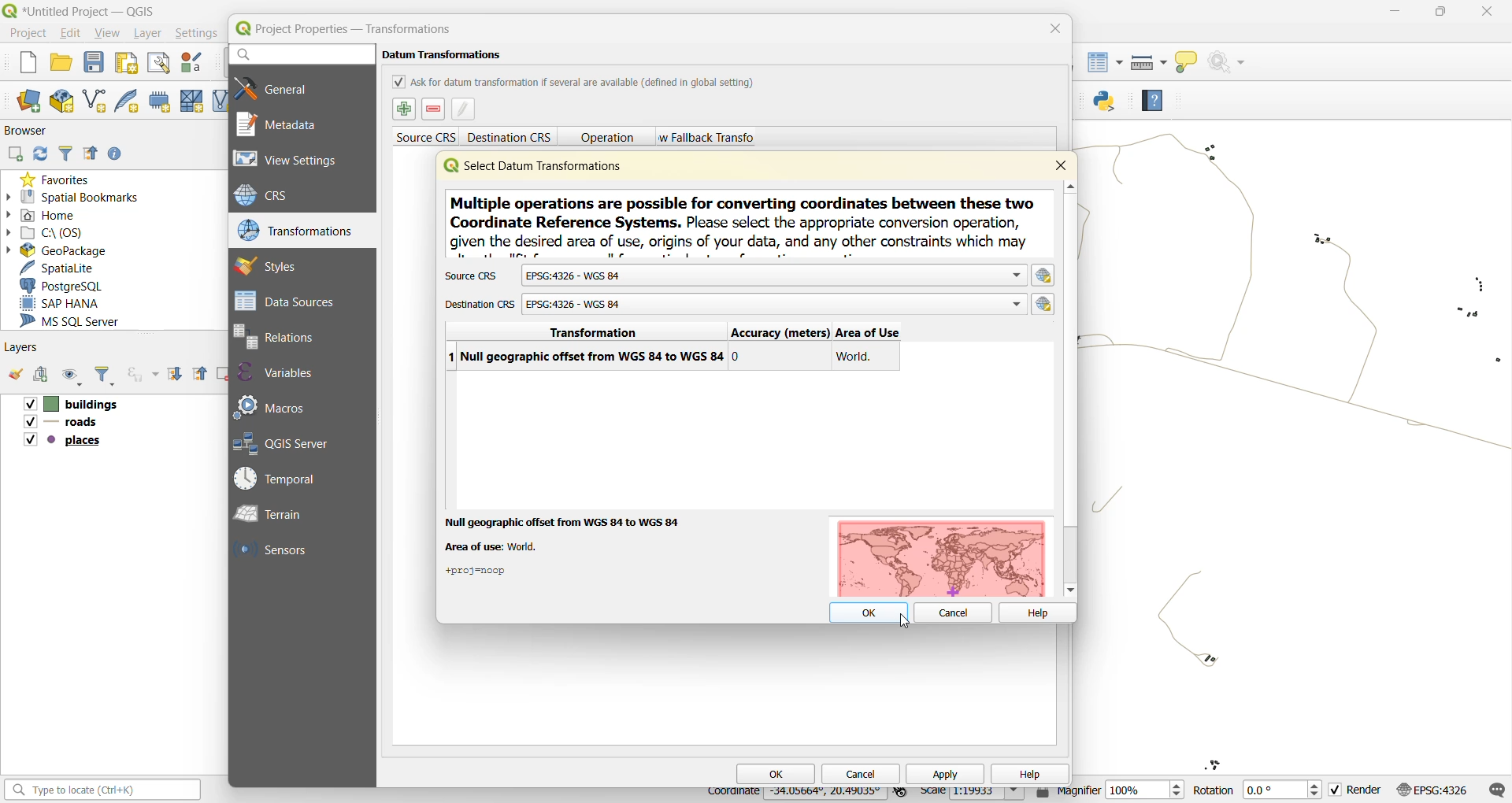 The image size is (1512, 803). Describe the element at coordinates (288, 301) in the screenshot. I see `data sources` at that location.